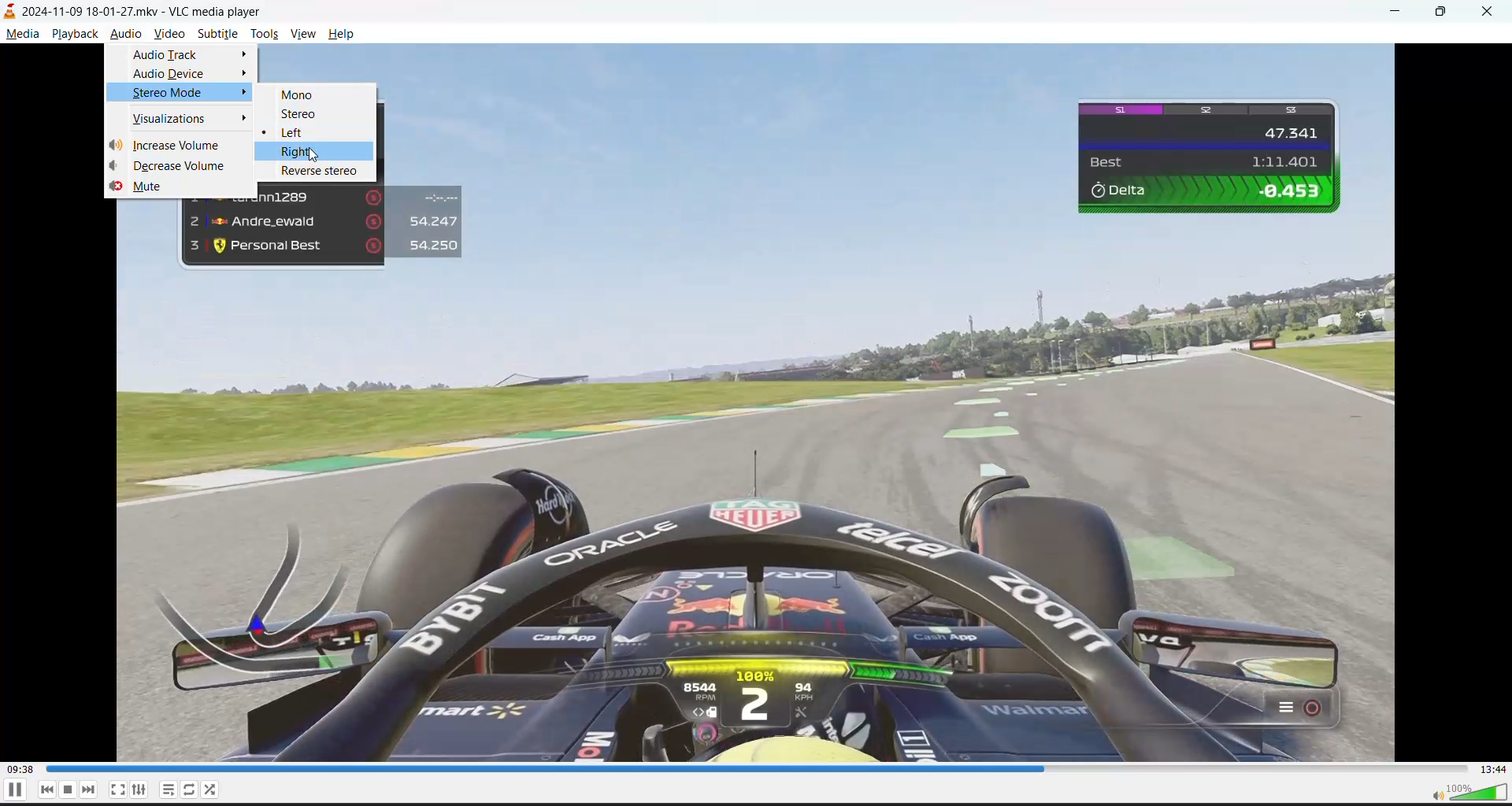  I want to click on view, so click(306, 35).